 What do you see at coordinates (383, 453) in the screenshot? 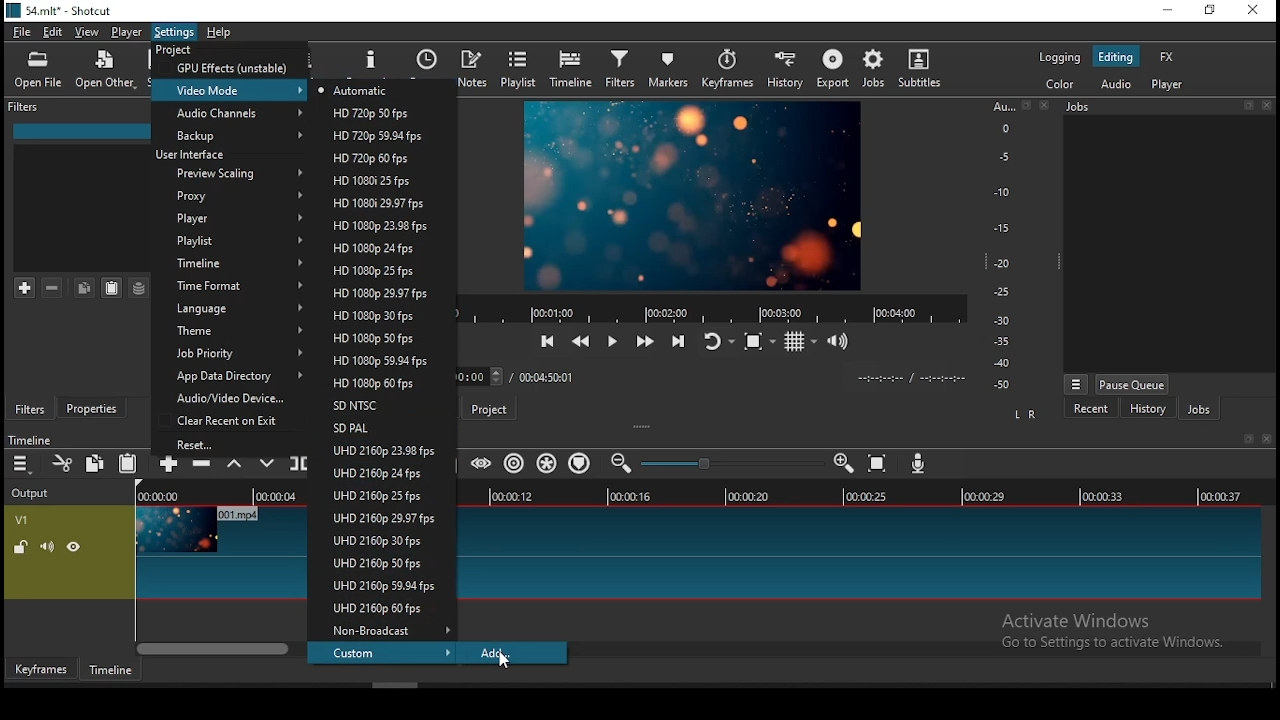
I see `resolution option` at bounding box center [383, 453].